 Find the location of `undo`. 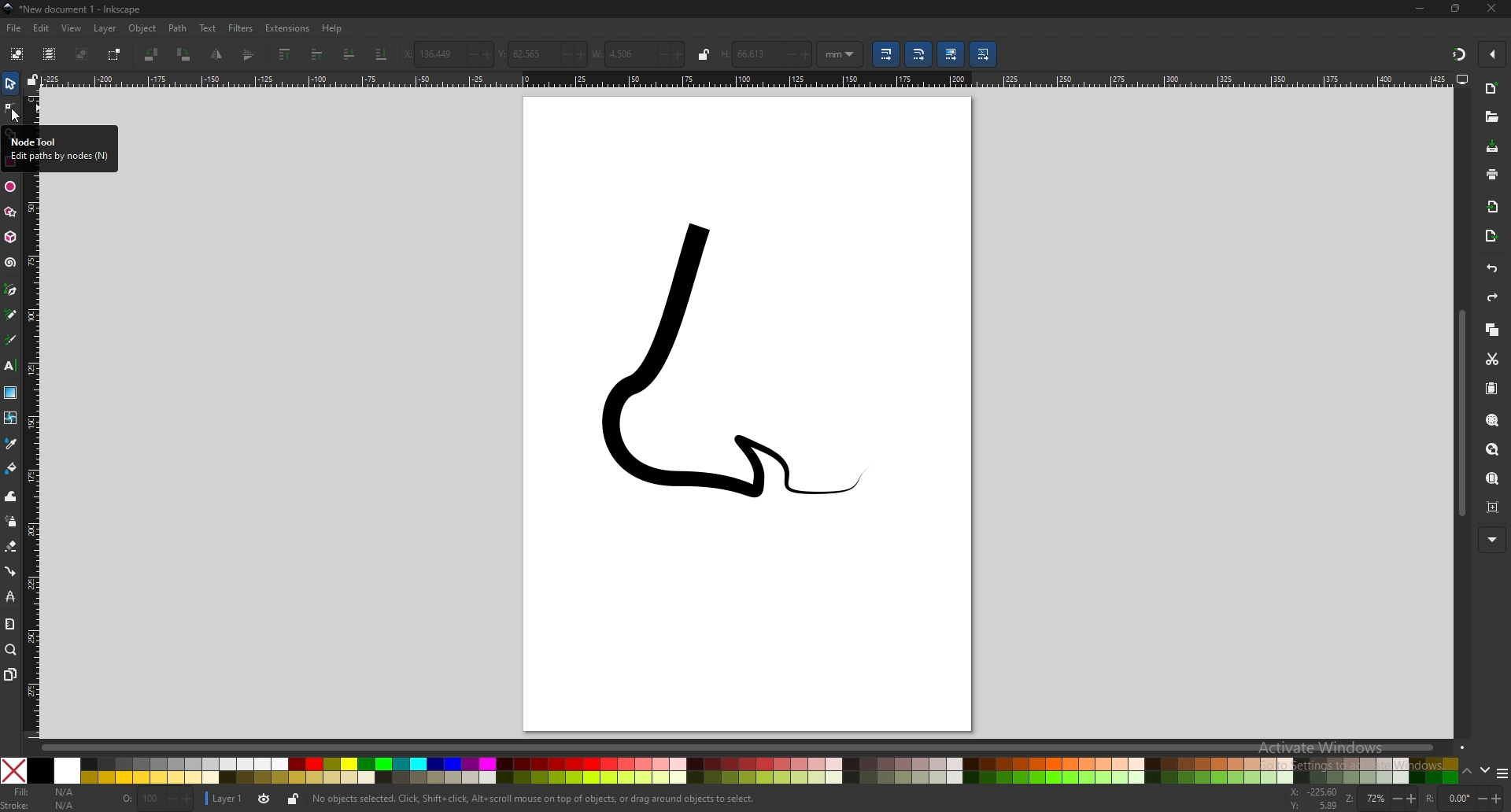

undo is located at coordinates (1489, 269).